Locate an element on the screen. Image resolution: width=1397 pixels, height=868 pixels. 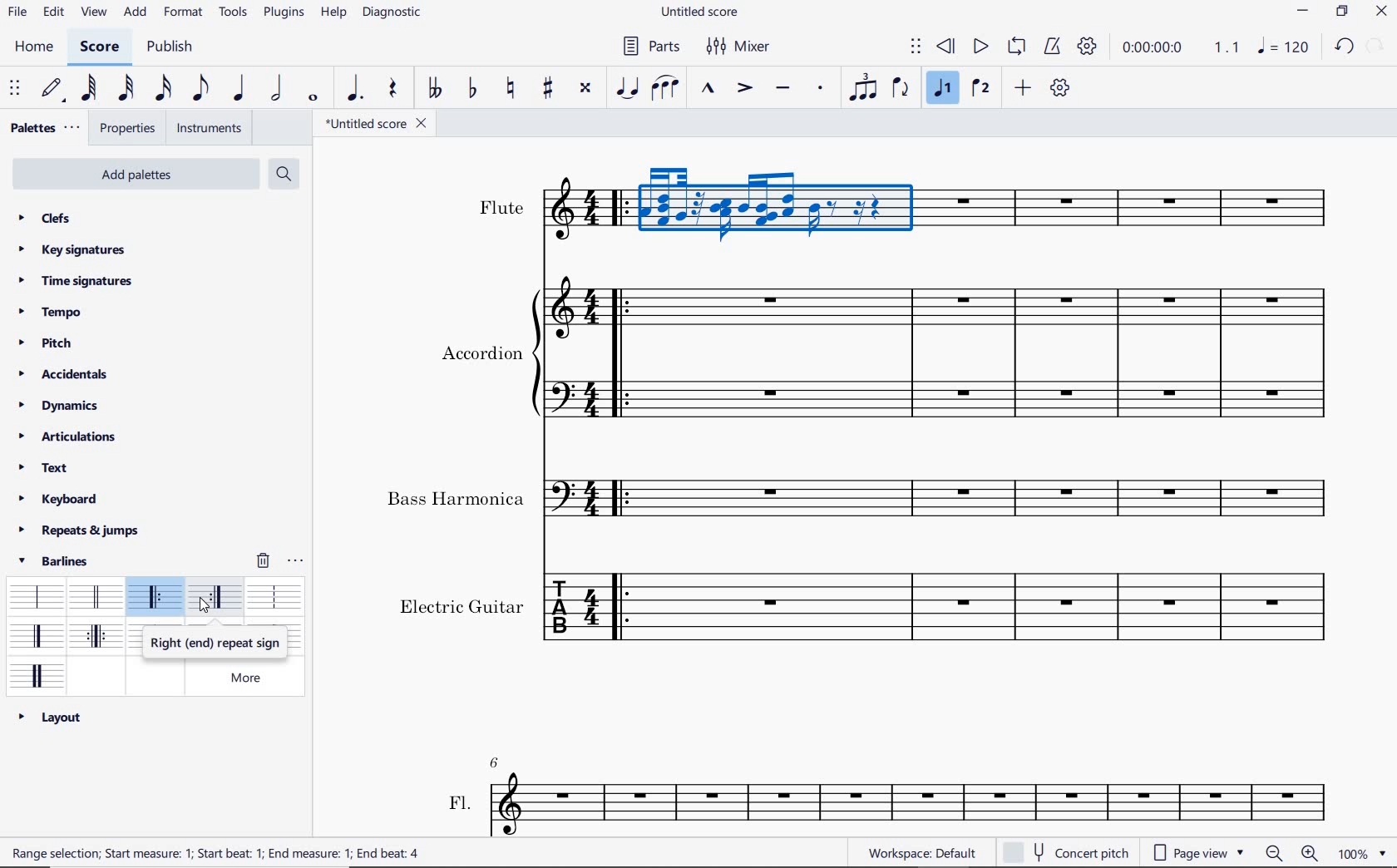
workspace: default is located at coordinates (919, 852).